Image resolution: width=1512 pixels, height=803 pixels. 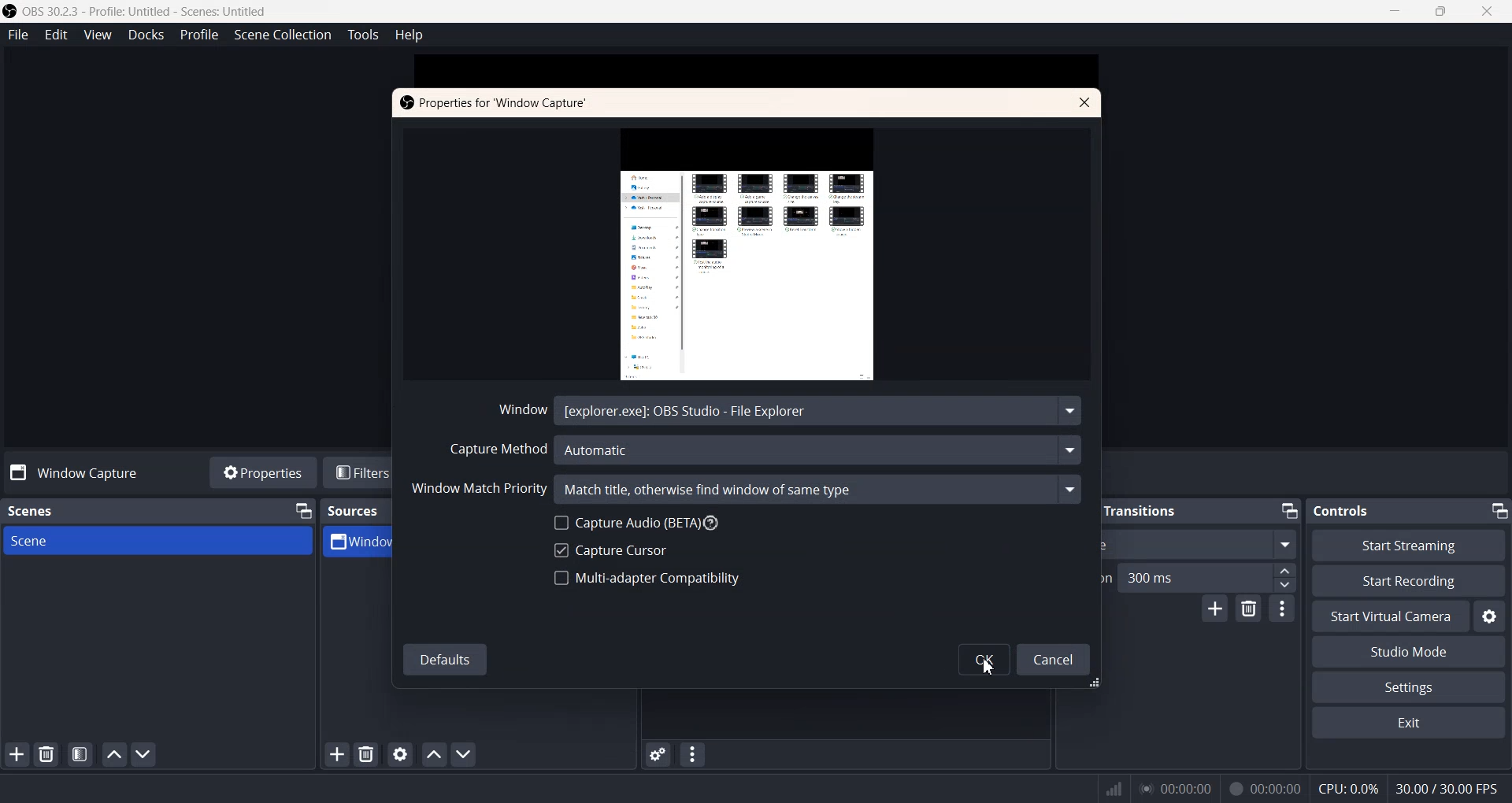 I want to click on 00:00:00, so click(x=1265, y=787).